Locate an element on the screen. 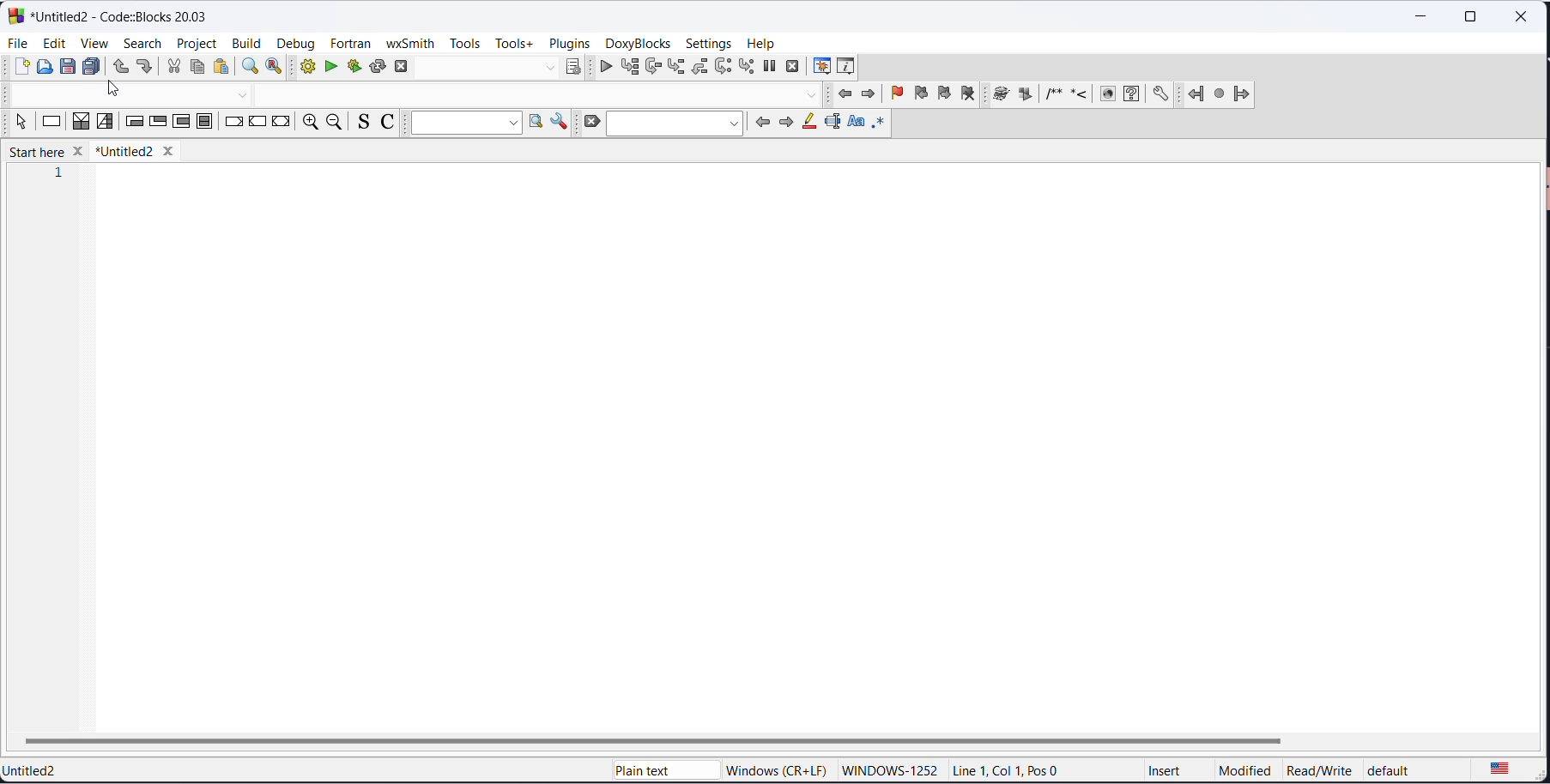 Image resolution: width=1550 pixels, height=784 pixels. abort is located at coordinates (405, 69).